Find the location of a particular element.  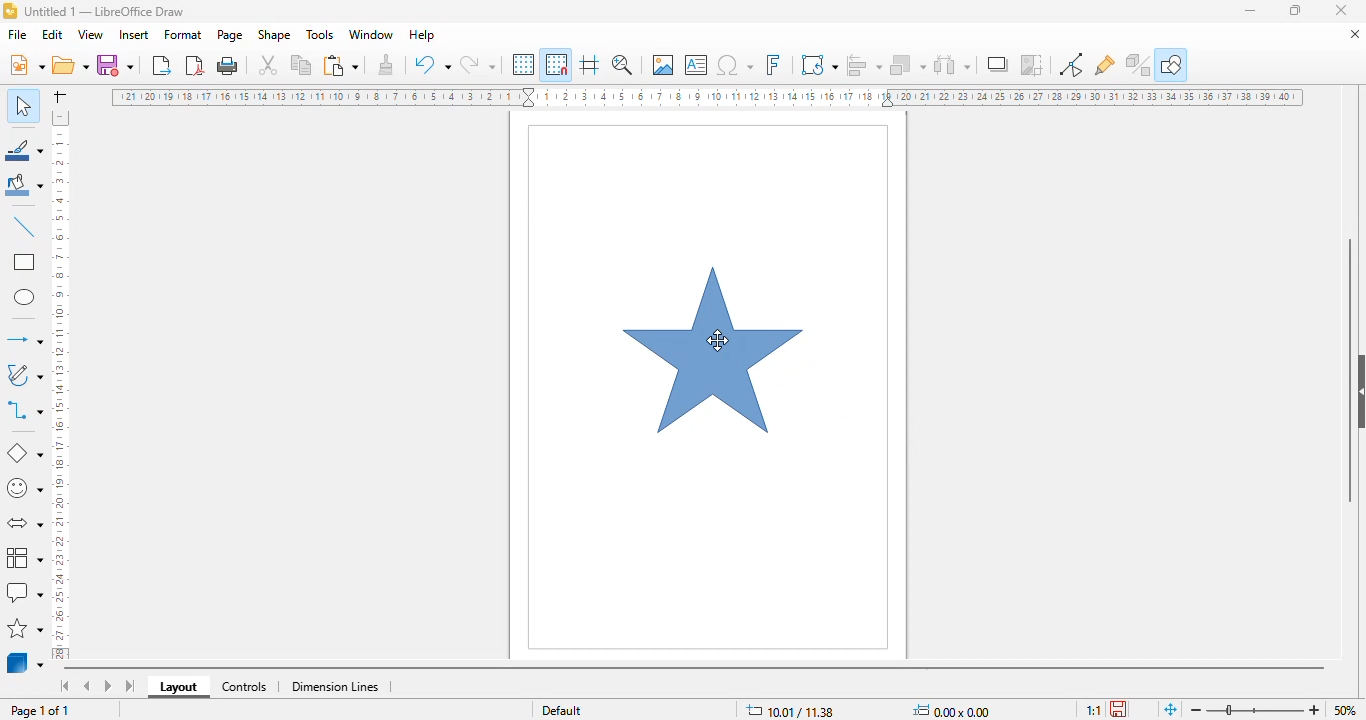

controls is located at coordinates (245, 688).